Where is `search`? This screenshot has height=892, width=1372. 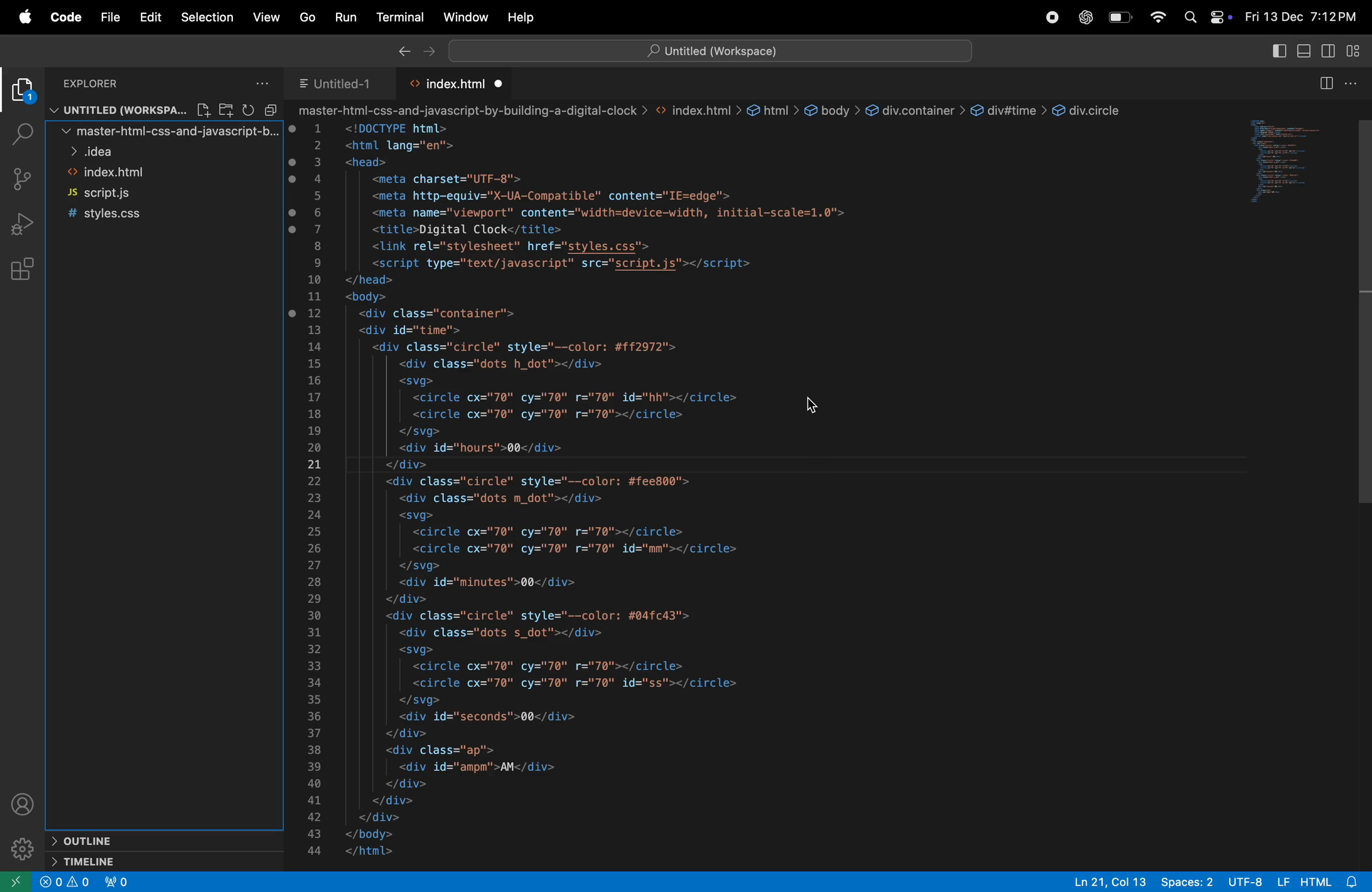
search is located at coordinates (19, 133).